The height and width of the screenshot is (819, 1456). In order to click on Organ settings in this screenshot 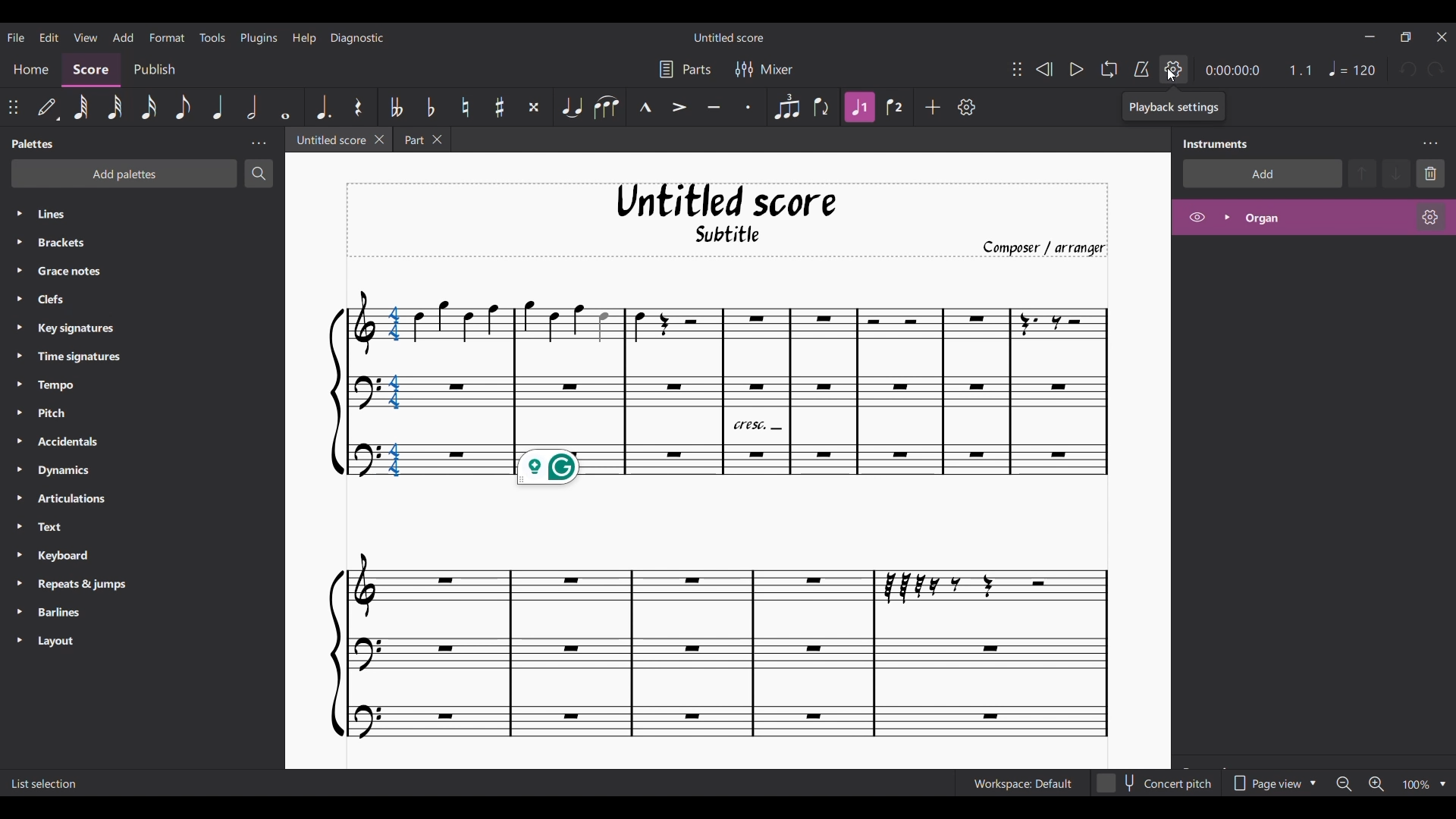, I will do `click(1430, 217)`.